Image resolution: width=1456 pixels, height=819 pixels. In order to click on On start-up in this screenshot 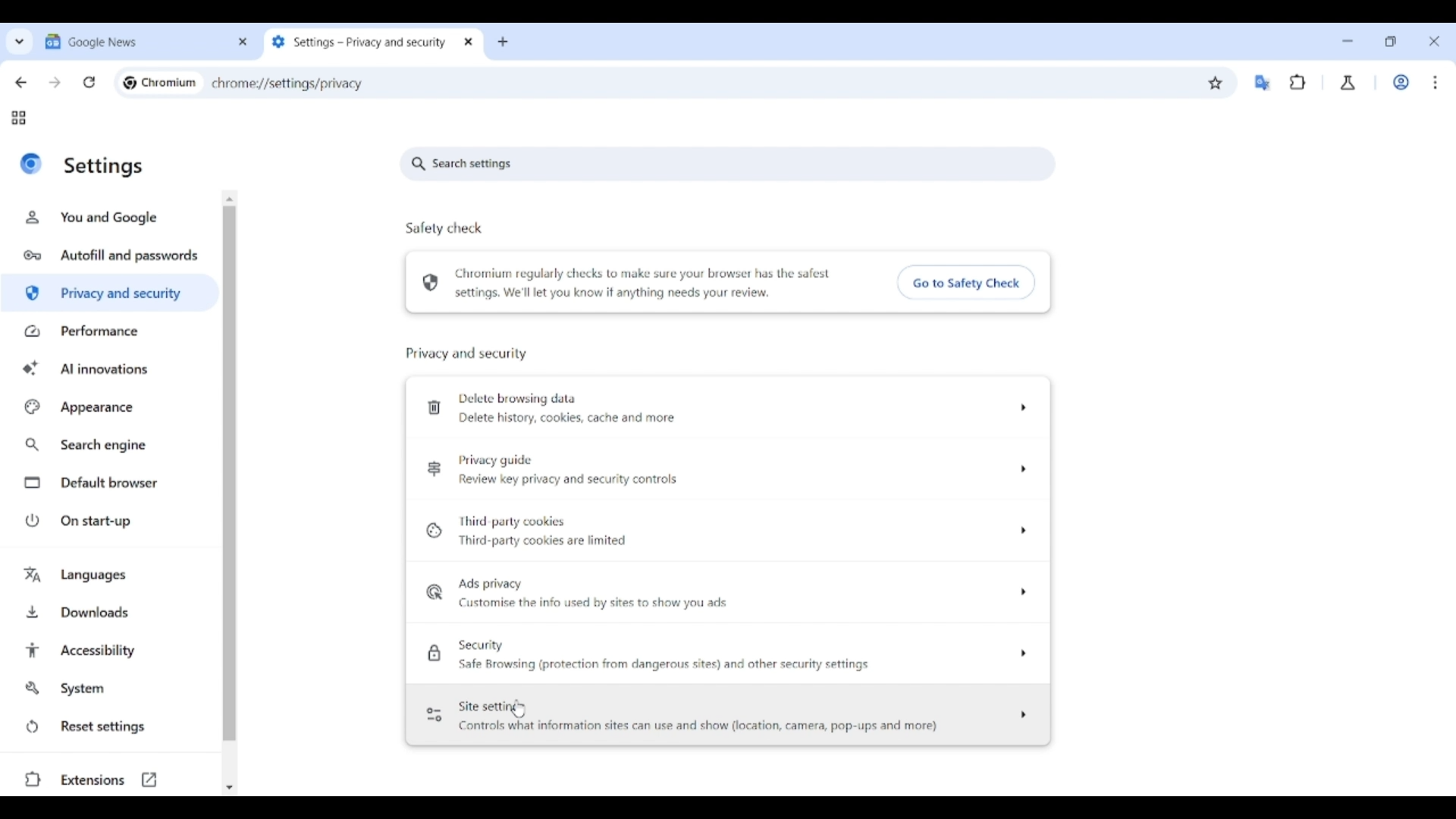, I will do `click(112, 520)`.